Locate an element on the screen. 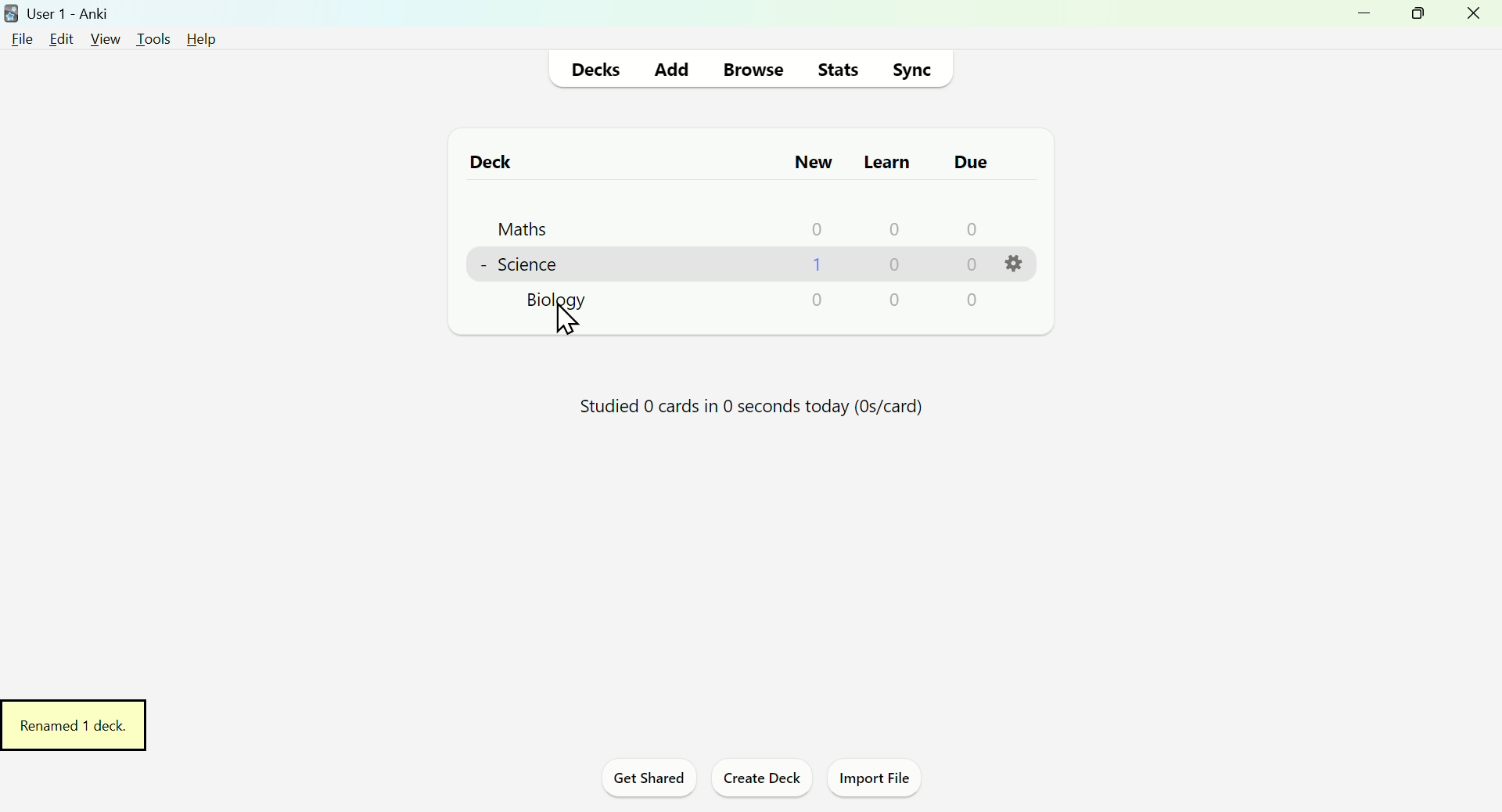 This screenshot has width=1502, height=812. Help is located at coordinates (196, 38).